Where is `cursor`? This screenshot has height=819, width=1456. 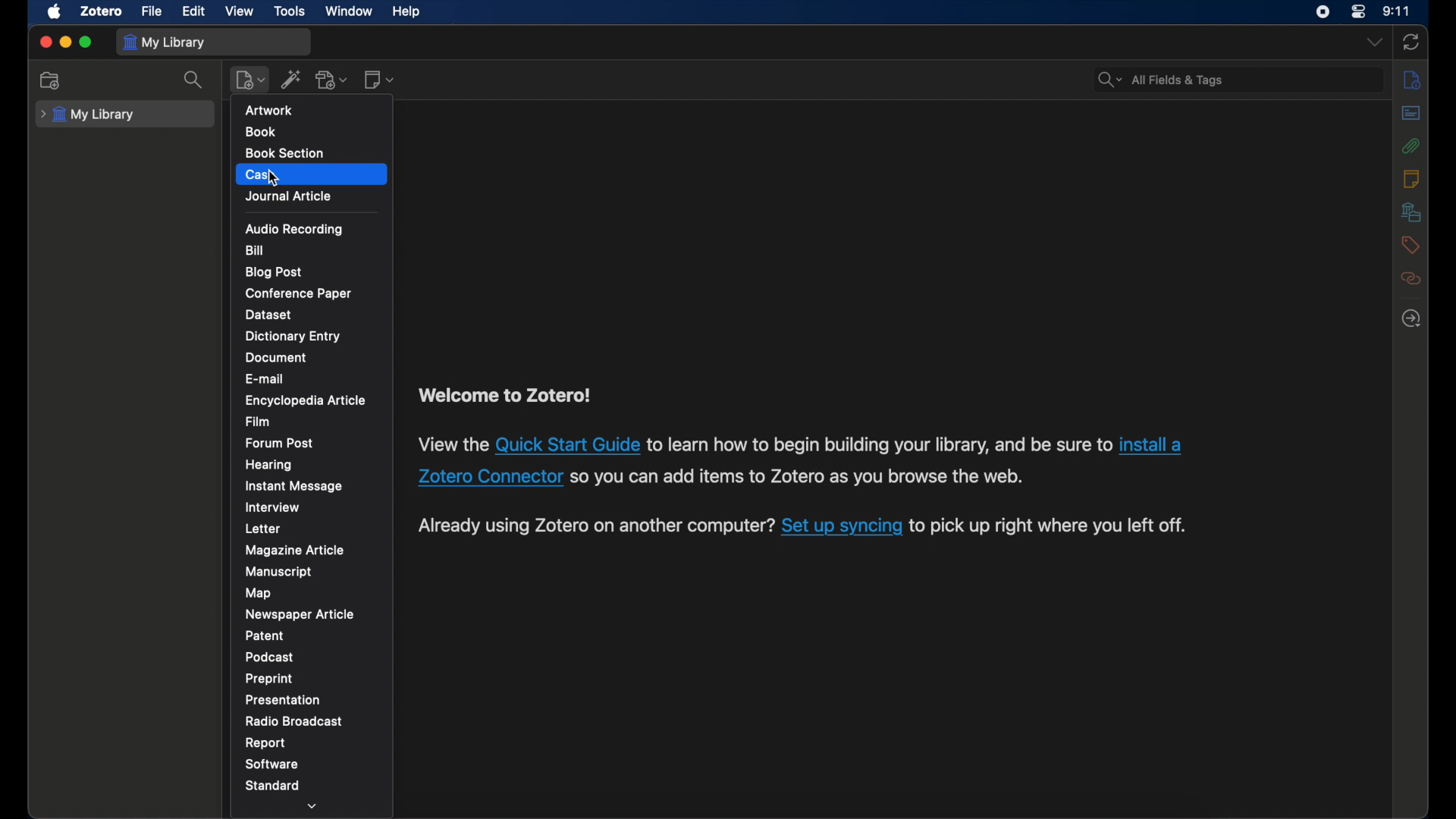 cursor is located at coordinates (273, 179).